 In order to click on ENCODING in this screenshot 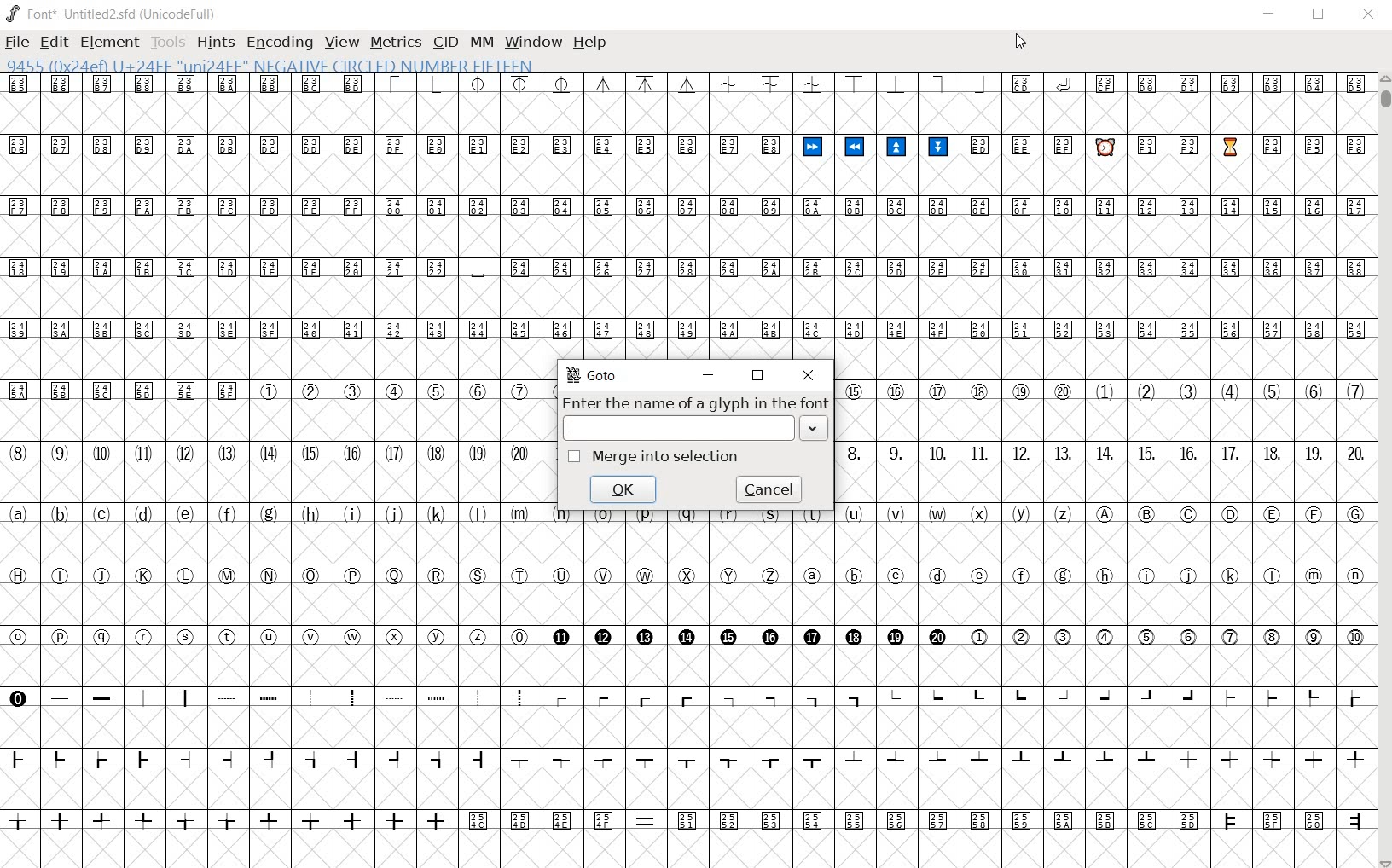, I will do `click(278, 43)`.